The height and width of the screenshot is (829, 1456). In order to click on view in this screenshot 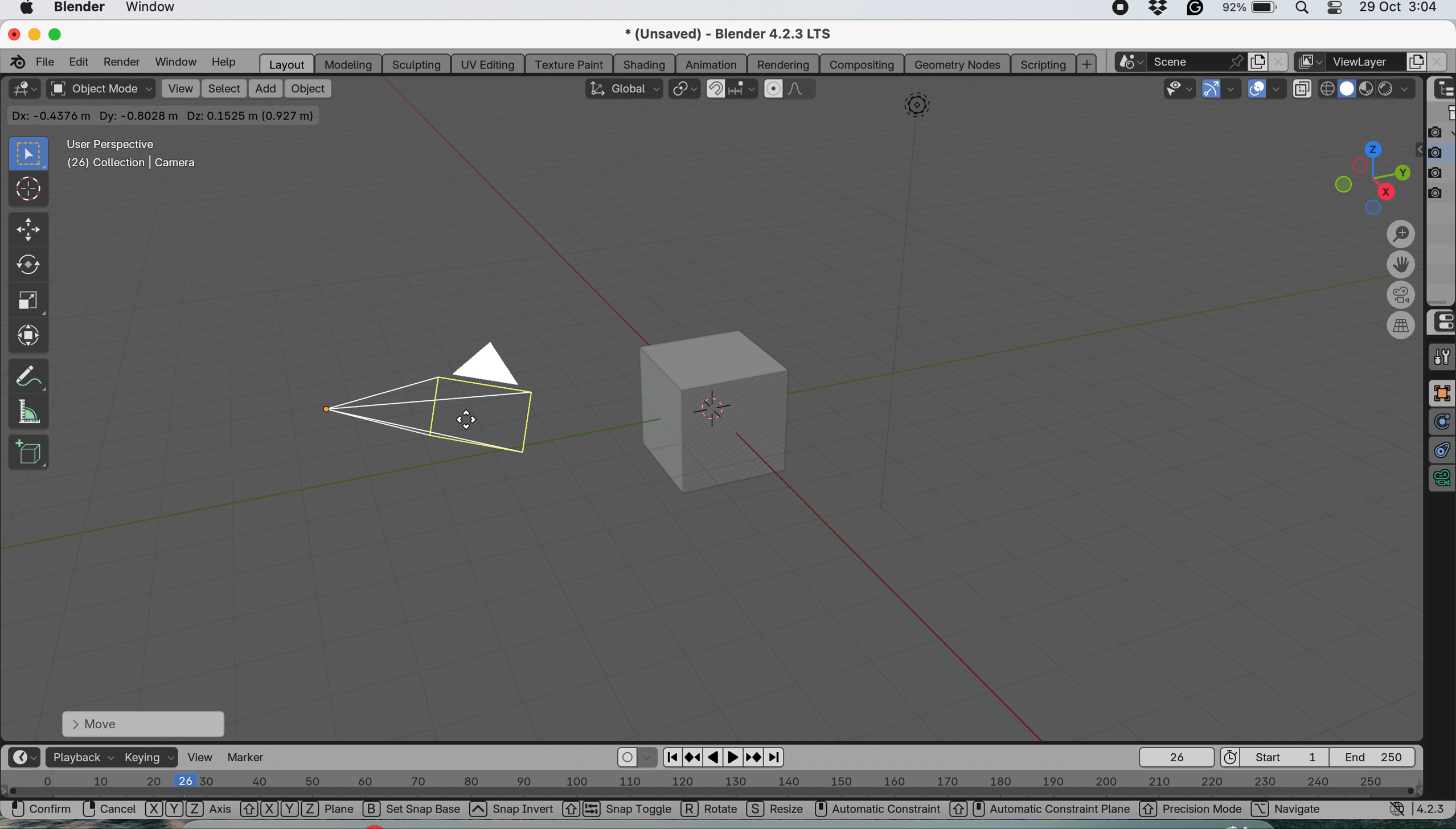, I will do `click(180, 88)`.